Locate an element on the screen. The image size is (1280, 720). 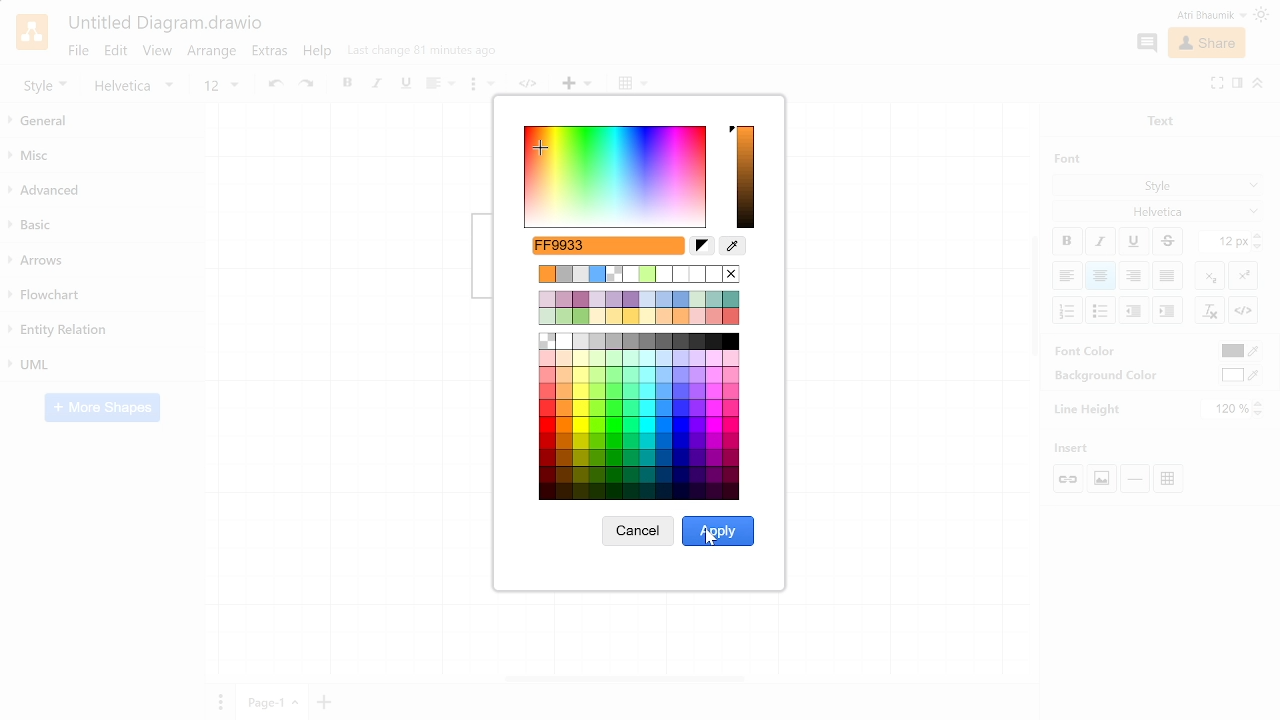
Share is located at coordinates (1205, 44).